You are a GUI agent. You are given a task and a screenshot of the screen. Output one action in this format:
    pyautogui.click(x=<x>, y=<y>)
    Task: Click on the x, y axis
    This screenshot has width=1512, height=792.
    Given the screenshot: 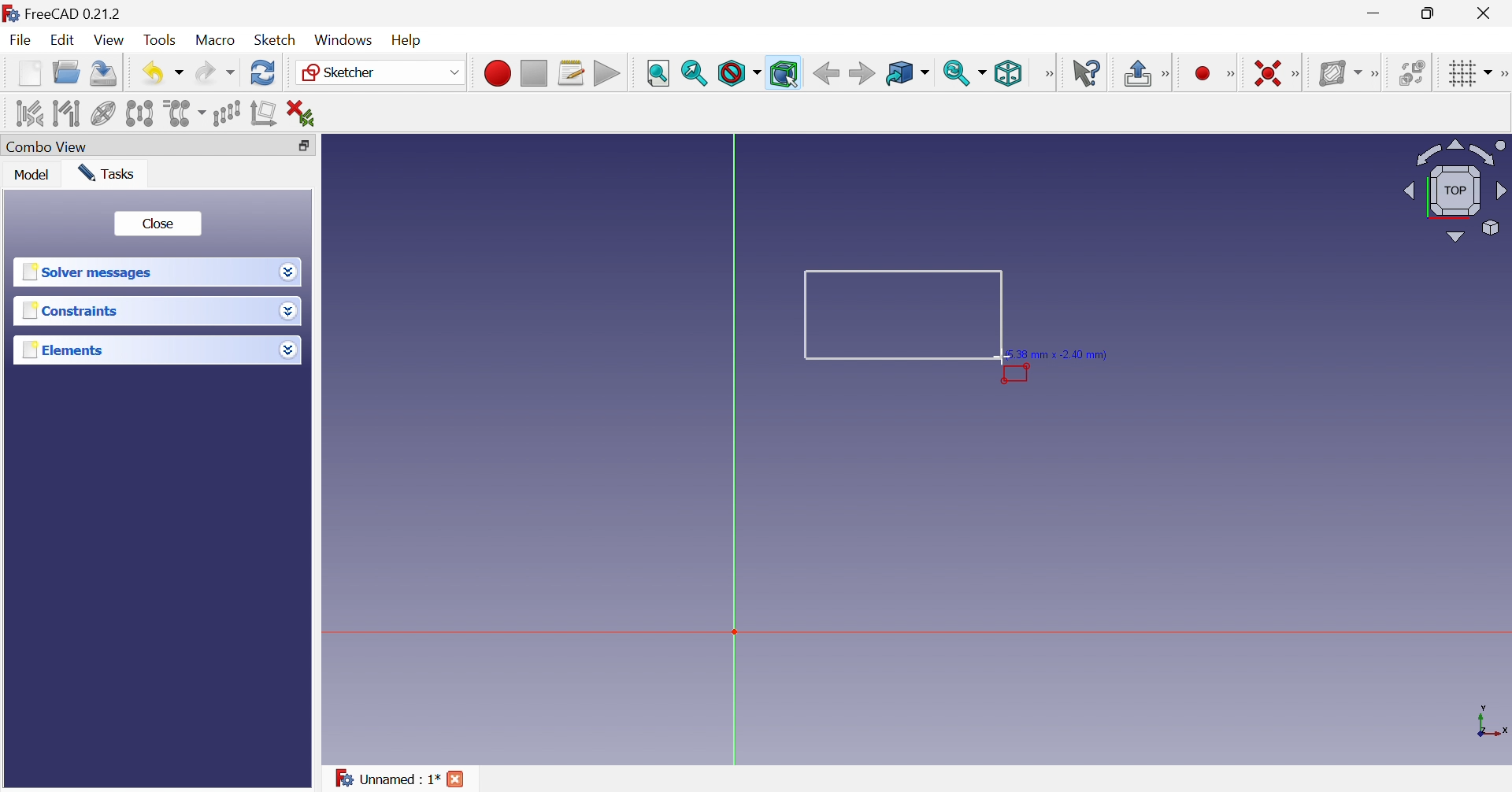 What is the action you would take?
    pyautogui.click(x=1489, y=720)
    